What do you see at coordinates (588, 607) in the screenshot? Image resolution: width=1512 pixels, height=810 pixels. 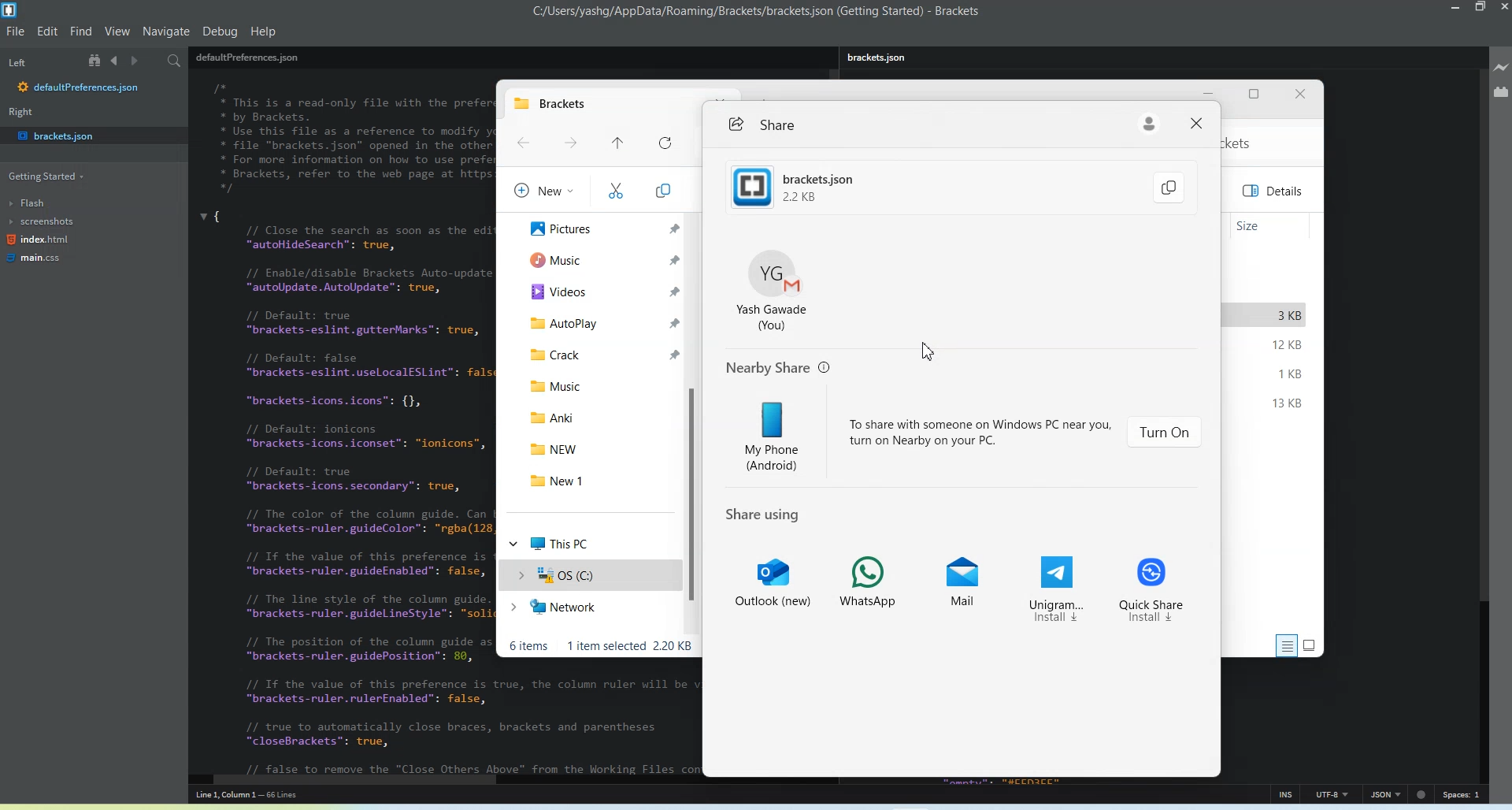 I see `Network` at bounding box center [588, 607].